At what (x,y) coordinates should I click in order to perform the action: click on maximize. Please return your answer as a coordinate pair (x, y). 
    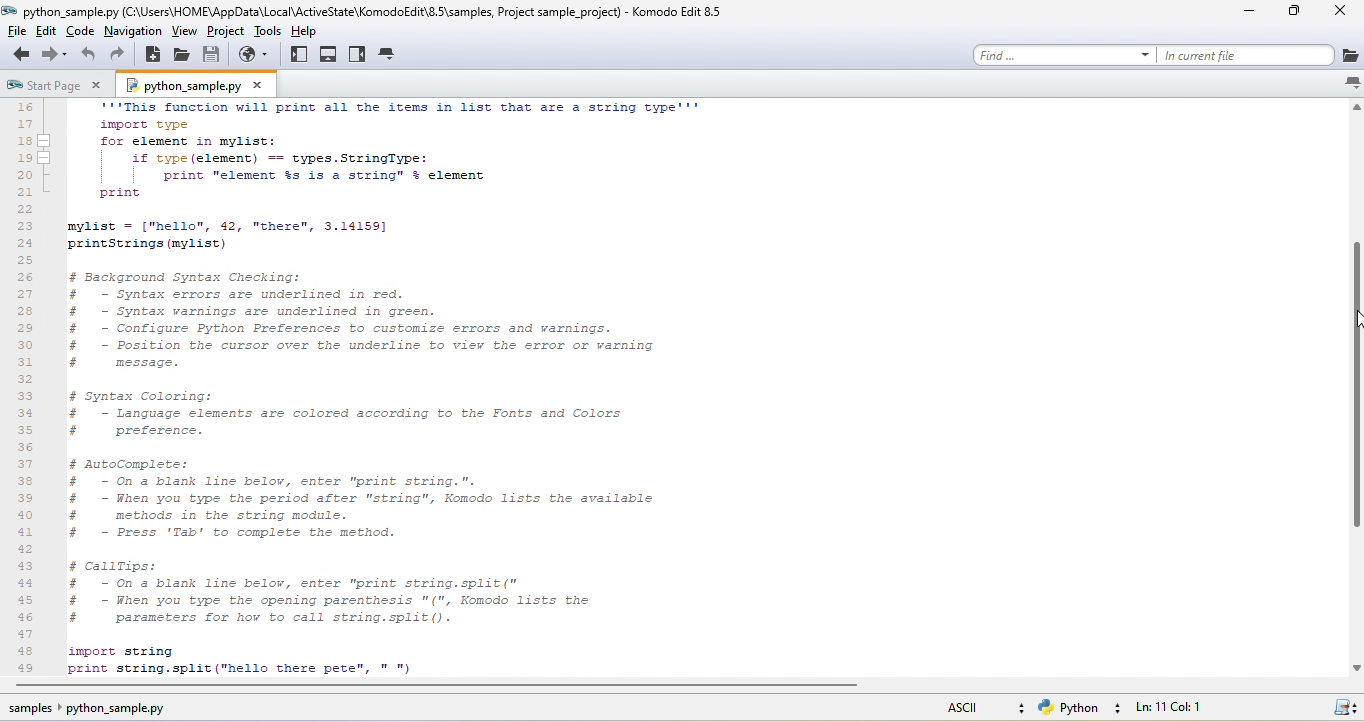
    Looking at the image, I should click on (1301, 14).